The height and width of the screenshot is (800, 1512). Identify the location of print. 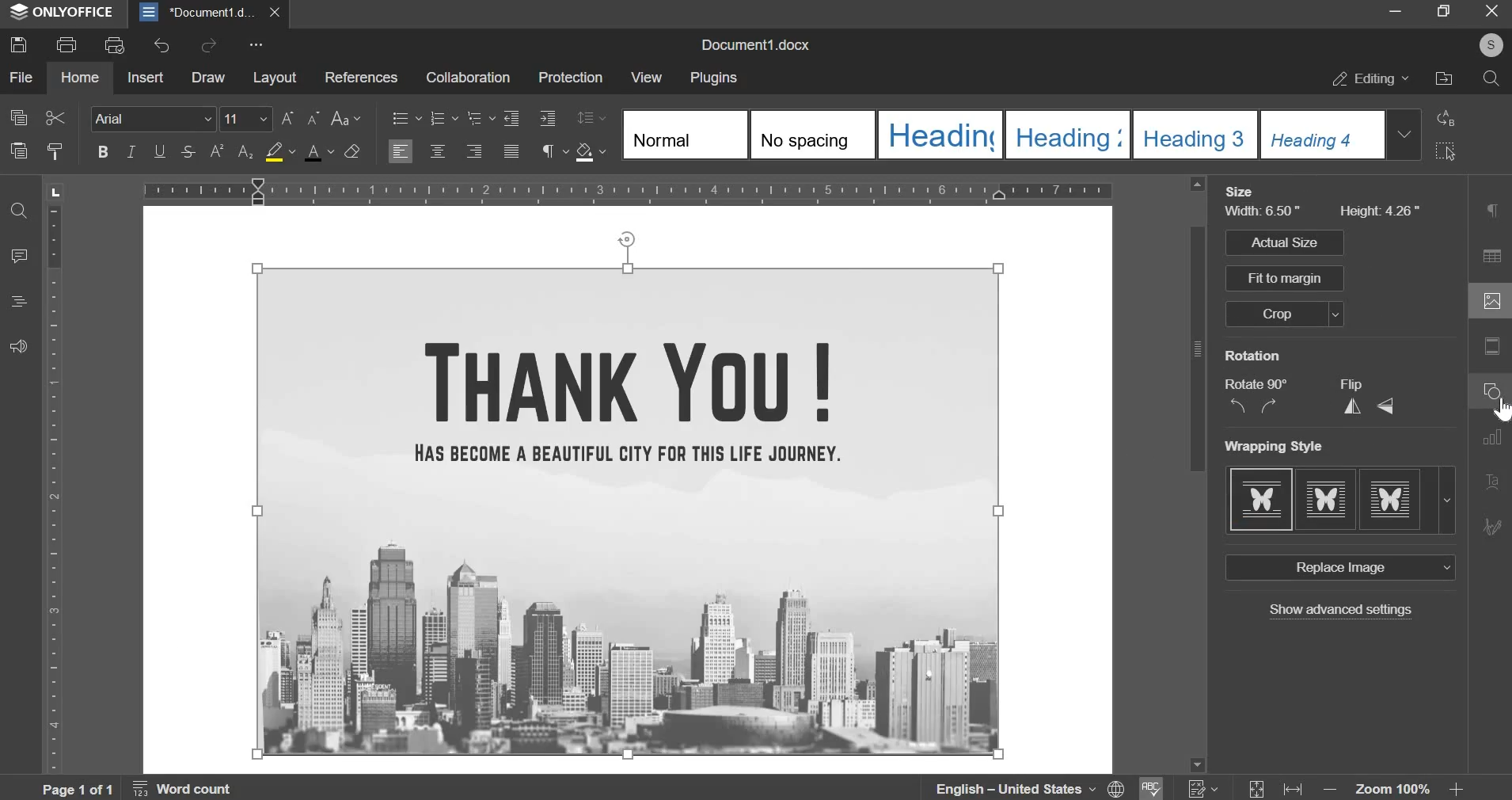
(66, 44).